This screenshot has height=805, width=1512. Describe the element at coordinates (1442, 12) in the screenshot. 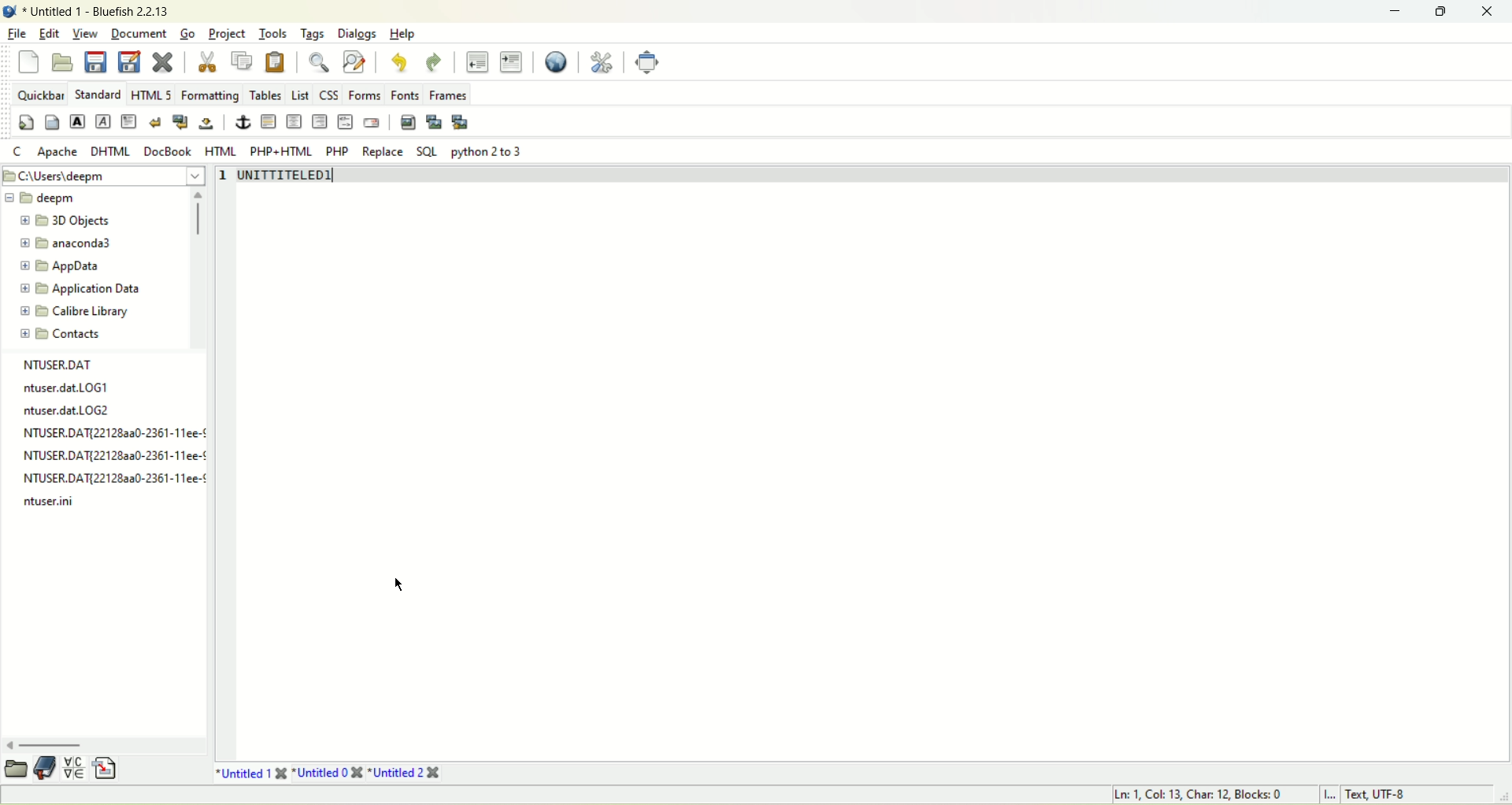

I see `maximize` at that location.